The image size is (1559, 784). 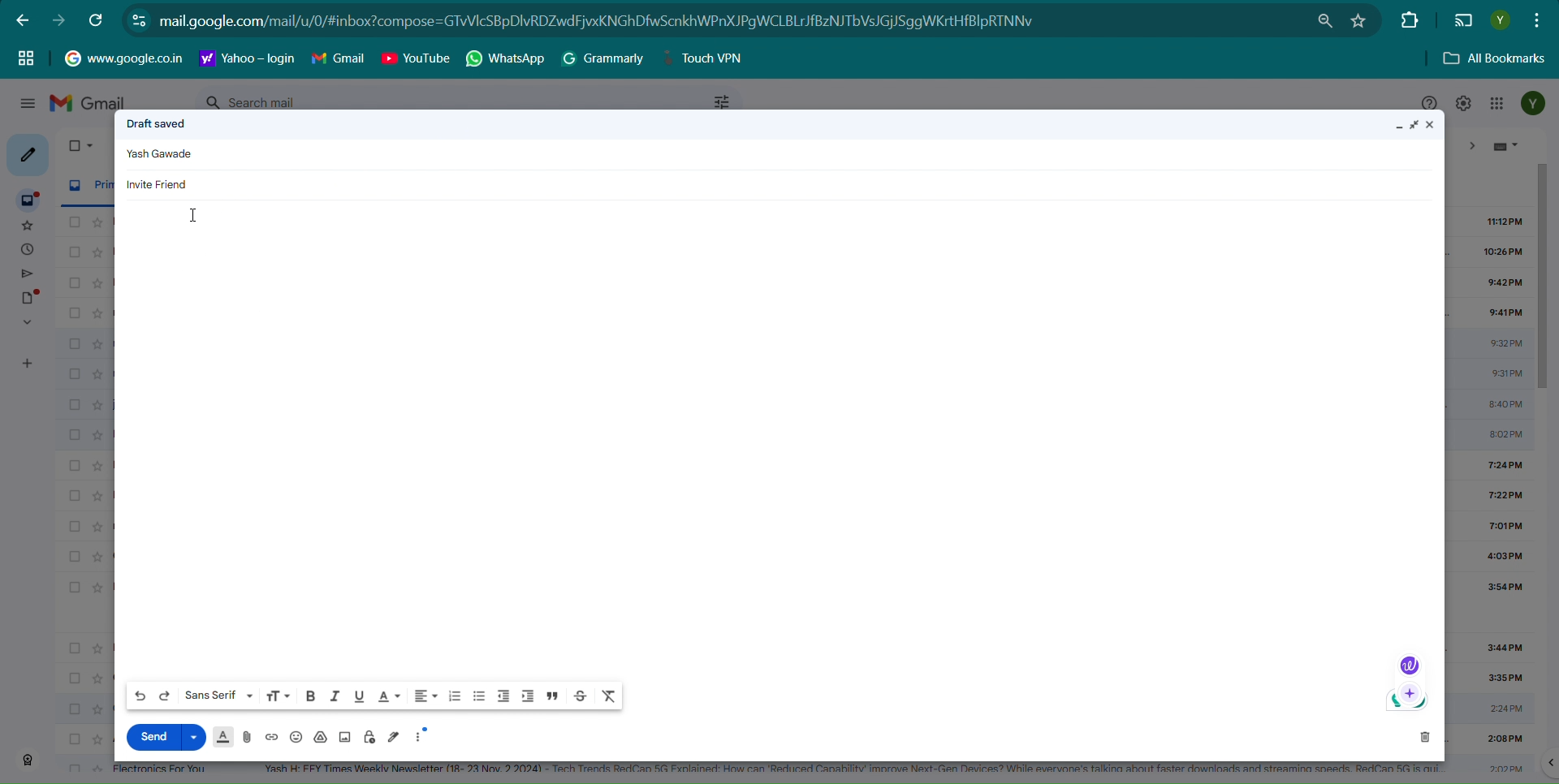 What do you see at coordinates (709, 58) in the screenshot?
I see `Touch VPN` at bounding box center [709, 58].